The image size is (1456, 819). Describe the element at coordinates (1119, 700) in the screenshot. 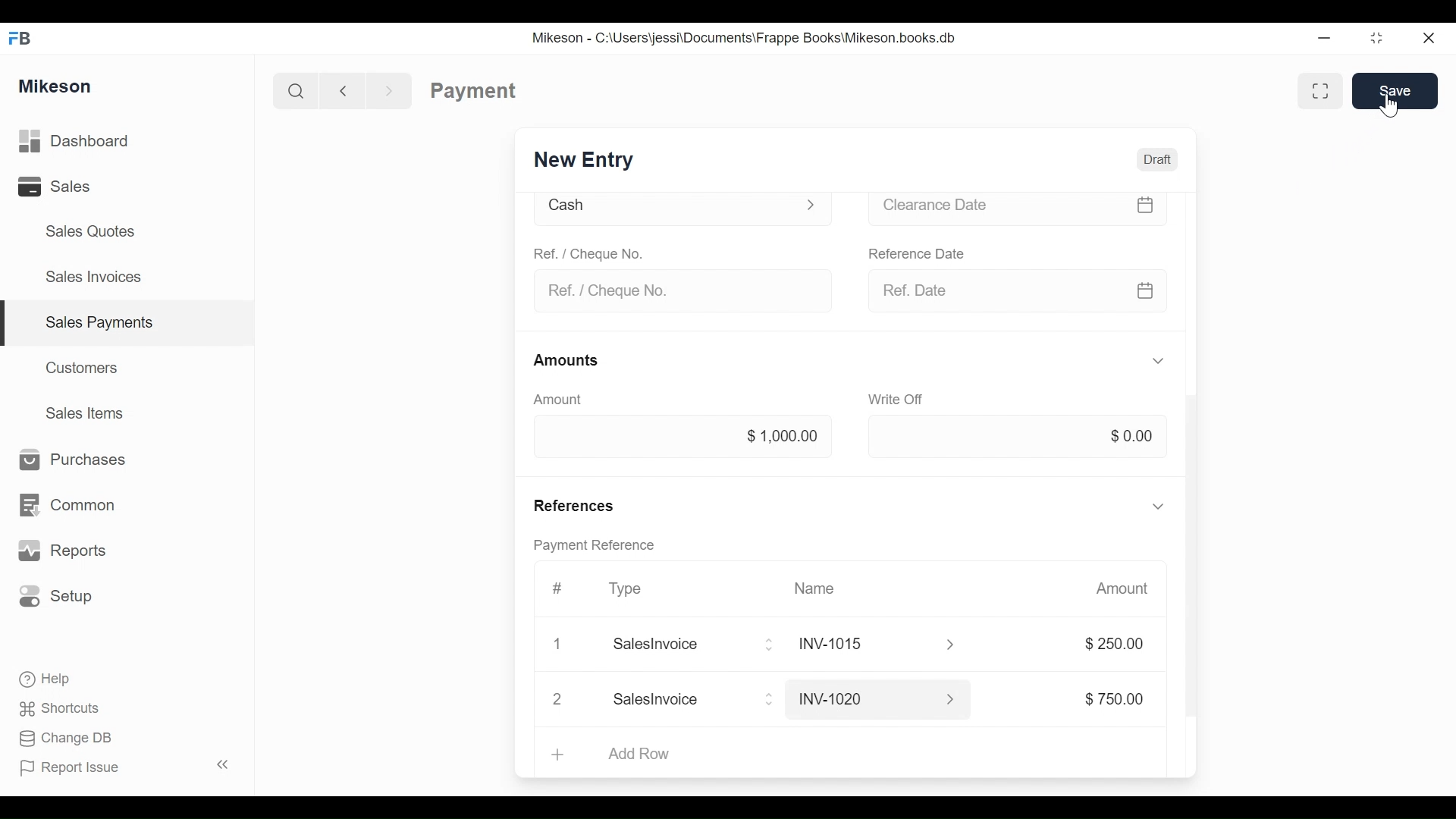

I see `$750.00` at that location.